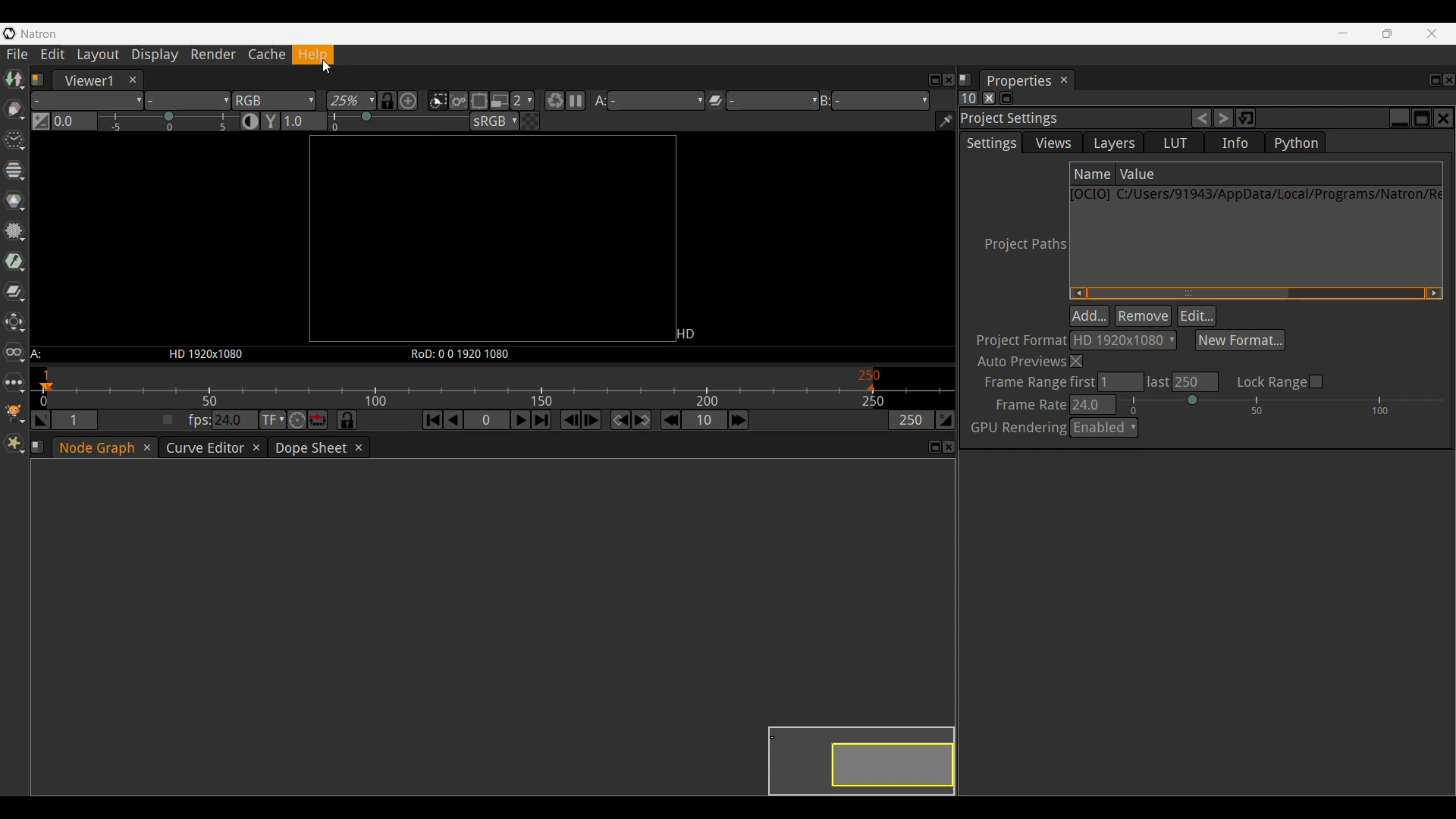 This screenshot has height=819, width=1456. I want to click on Previous frame, so click(571, 420).